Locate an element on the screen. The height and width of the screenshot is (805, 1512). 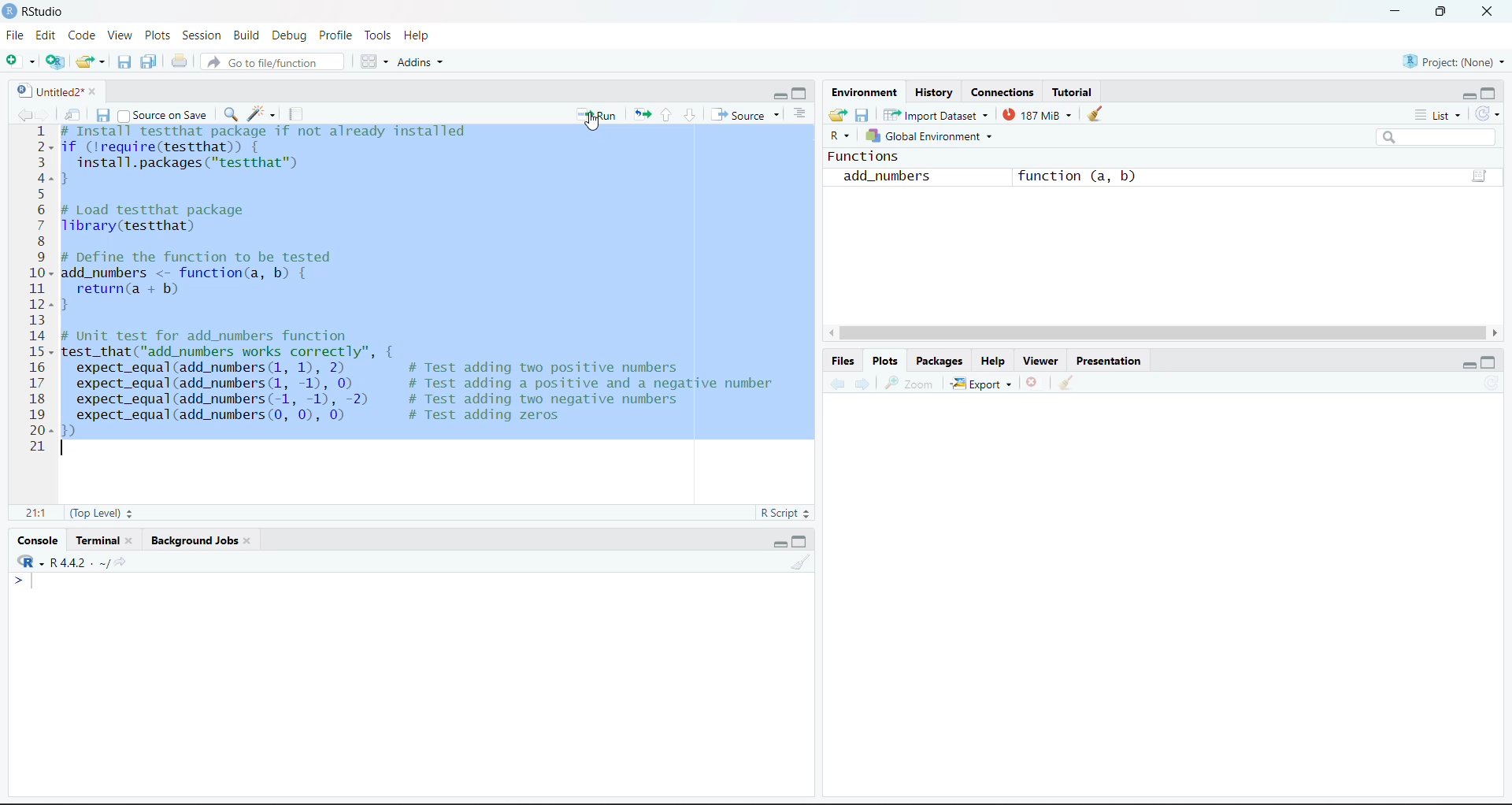
save current document is located at coordinates (128, 61).